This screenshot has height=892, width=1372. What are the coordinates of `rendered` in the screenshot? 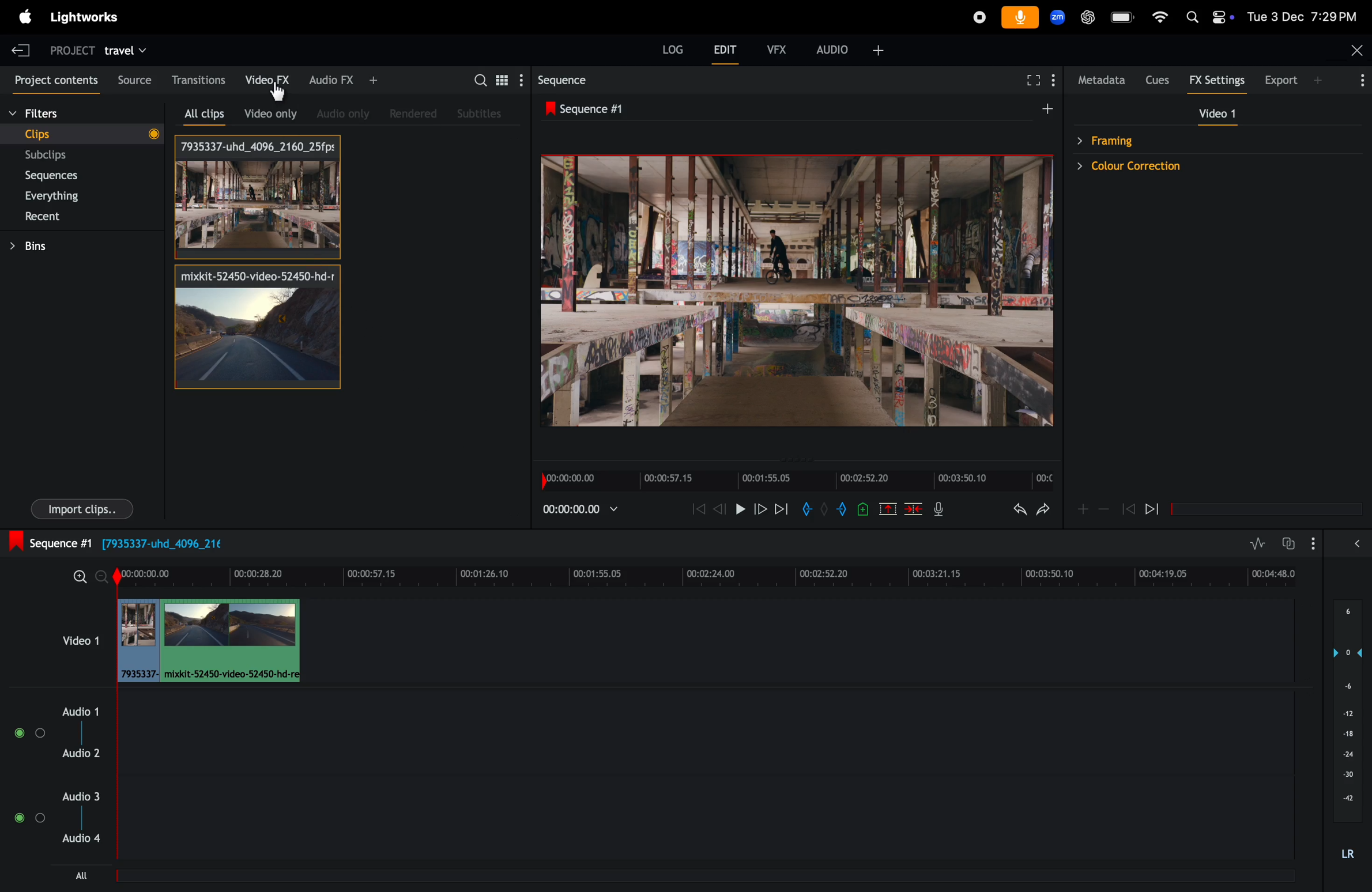 It's located at (410, 112).